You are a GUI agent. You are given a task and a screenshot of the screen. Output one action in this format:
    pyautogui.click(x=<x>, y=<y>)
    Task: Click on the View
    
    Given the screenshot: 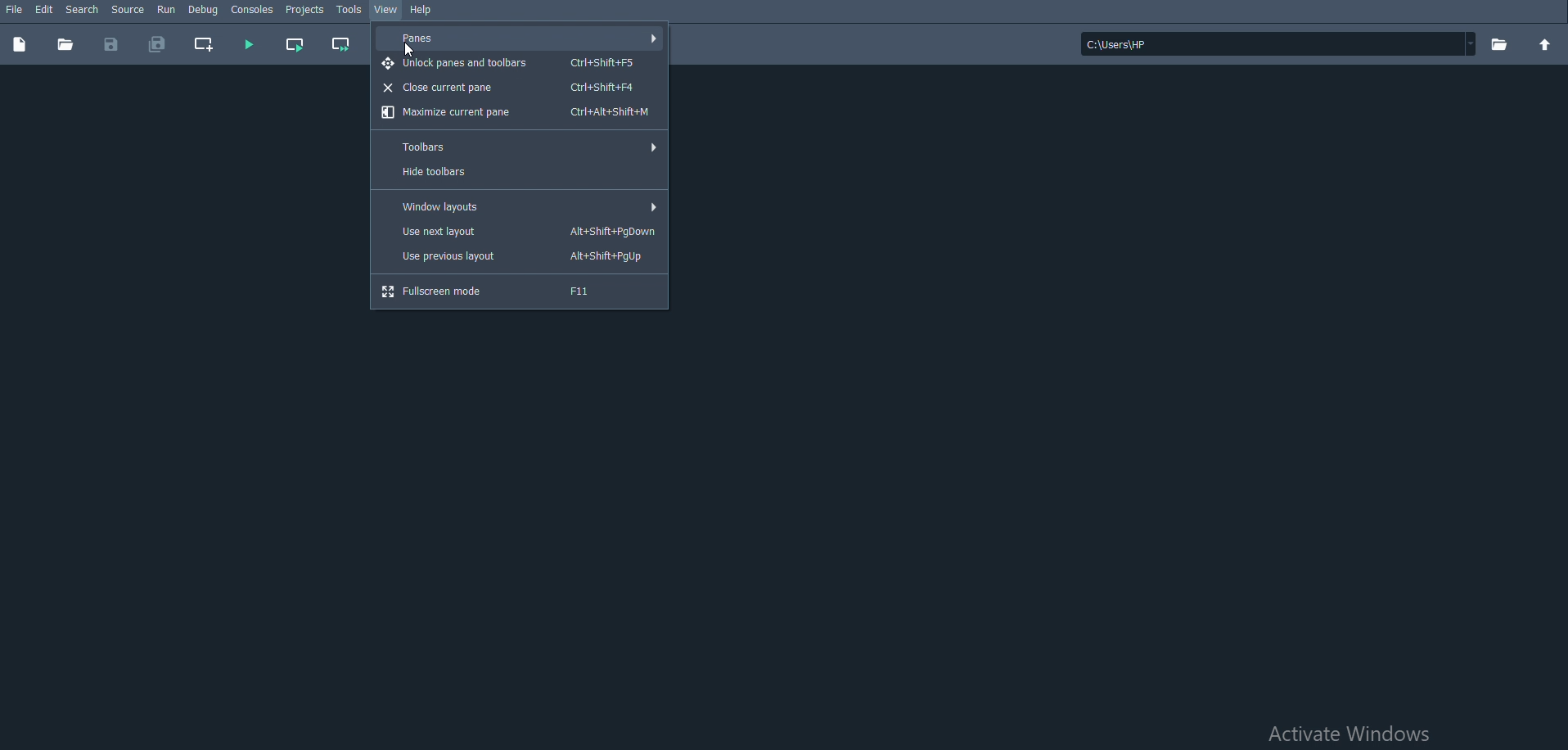 What is the action you would take?
    pyautogui.click(x=386, y=10)
    